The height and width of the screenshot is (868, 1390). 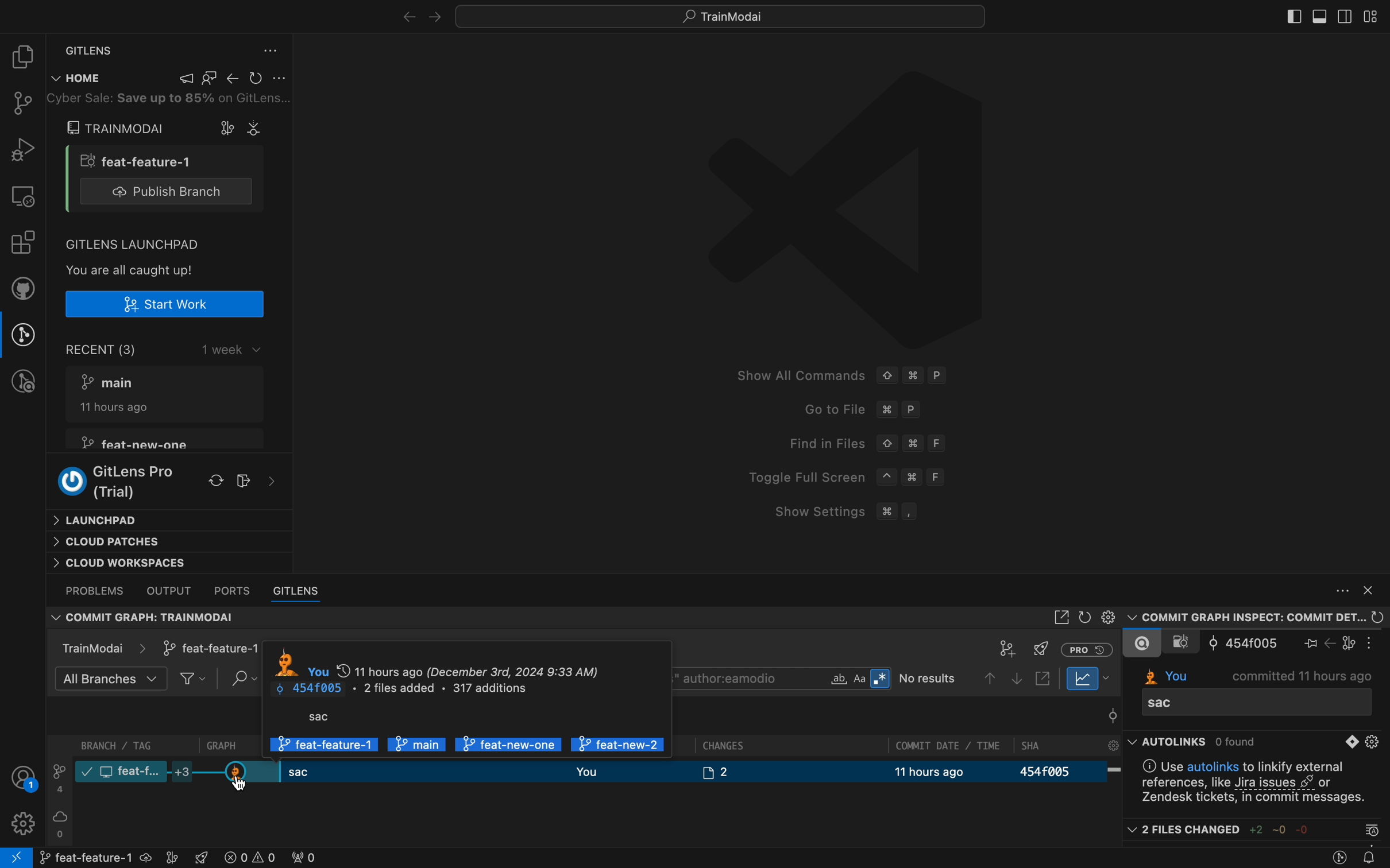 What do you see at coordinates (87, 590) in the screenshot?
I see `problems` at bounding box center [87, 590].